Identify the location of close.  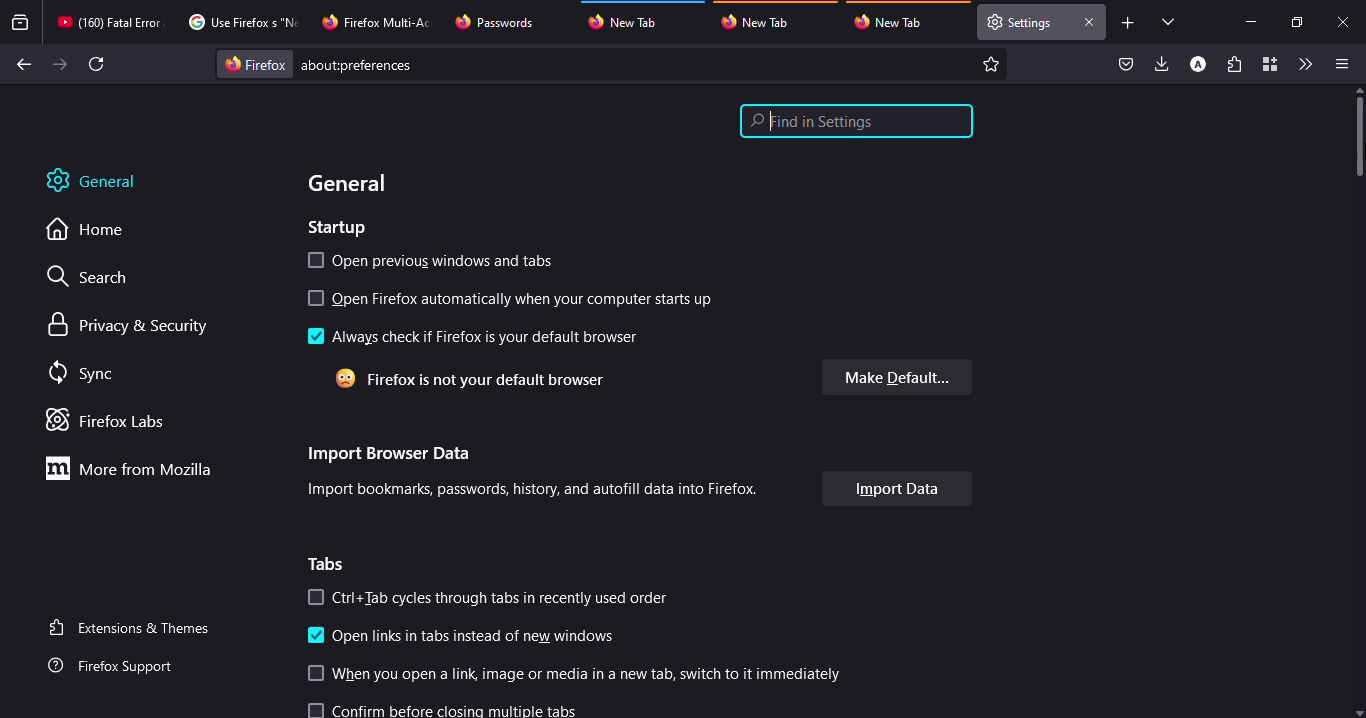
(1345, 23).